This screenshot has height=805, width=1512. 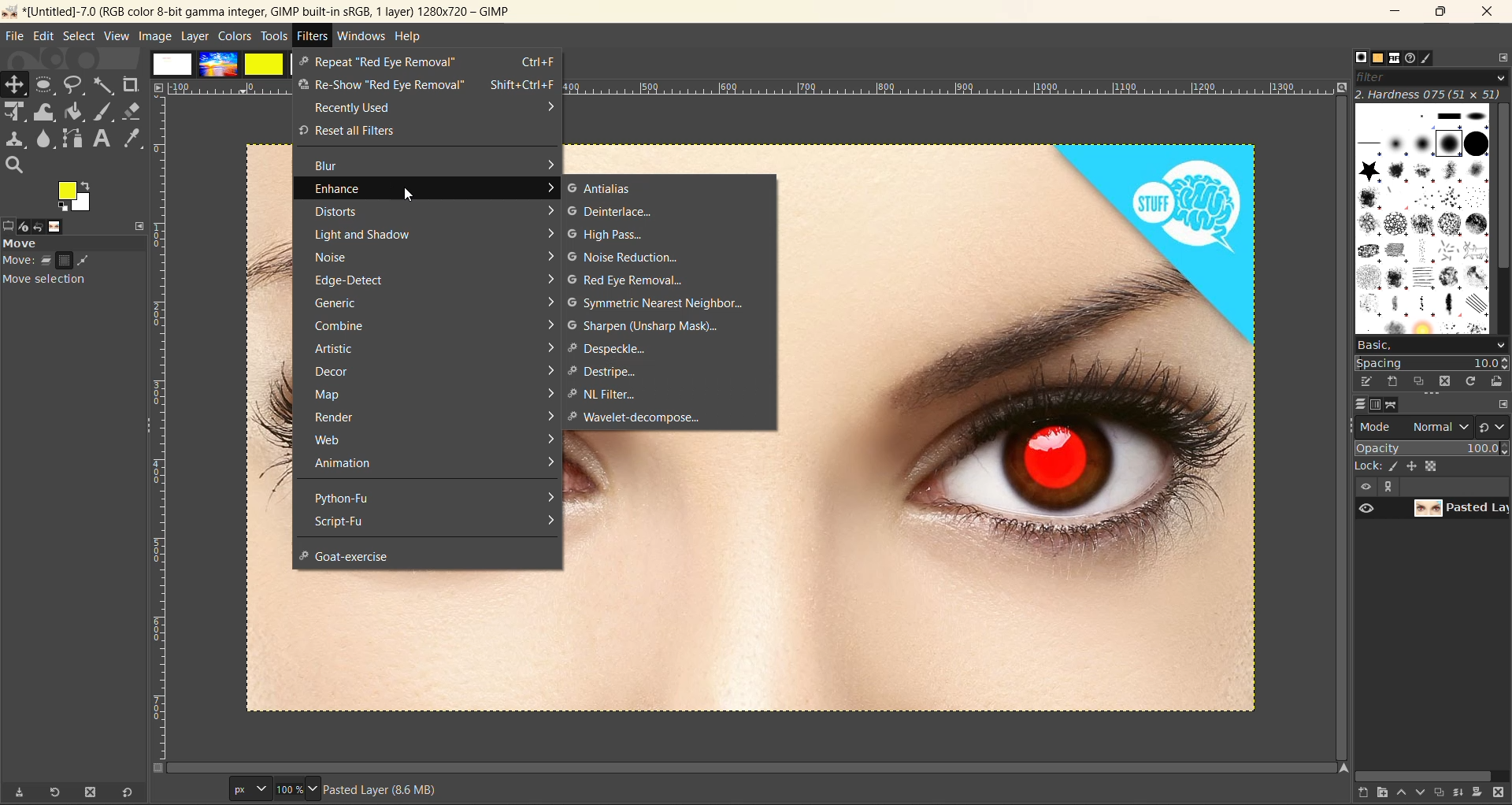 What do you see at coordinates (106, 112) in the screenshot?
I see `ink` at bounding box center [106, 112].